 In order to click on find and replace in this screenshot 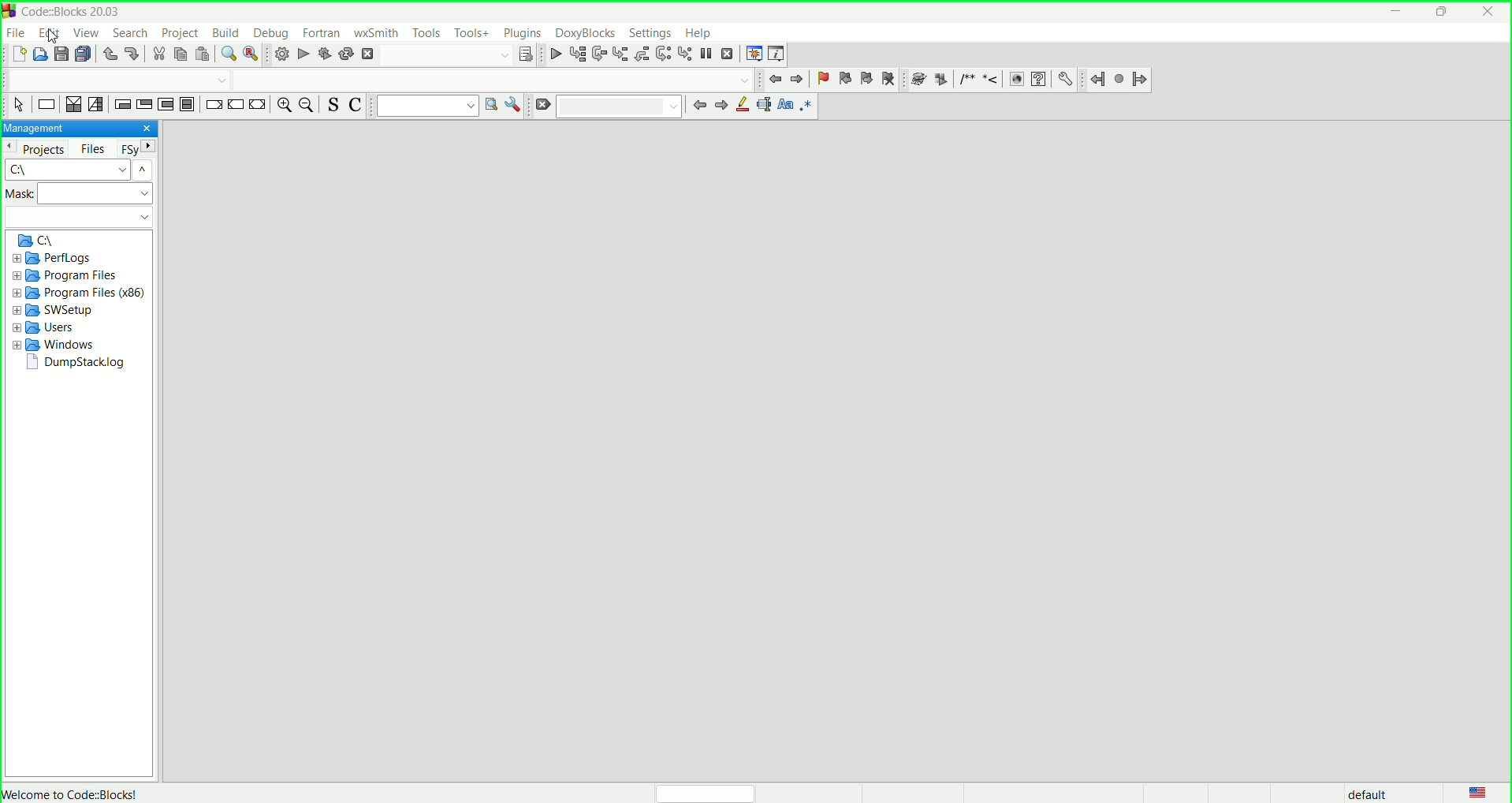, I will do `click(248, 56)`.